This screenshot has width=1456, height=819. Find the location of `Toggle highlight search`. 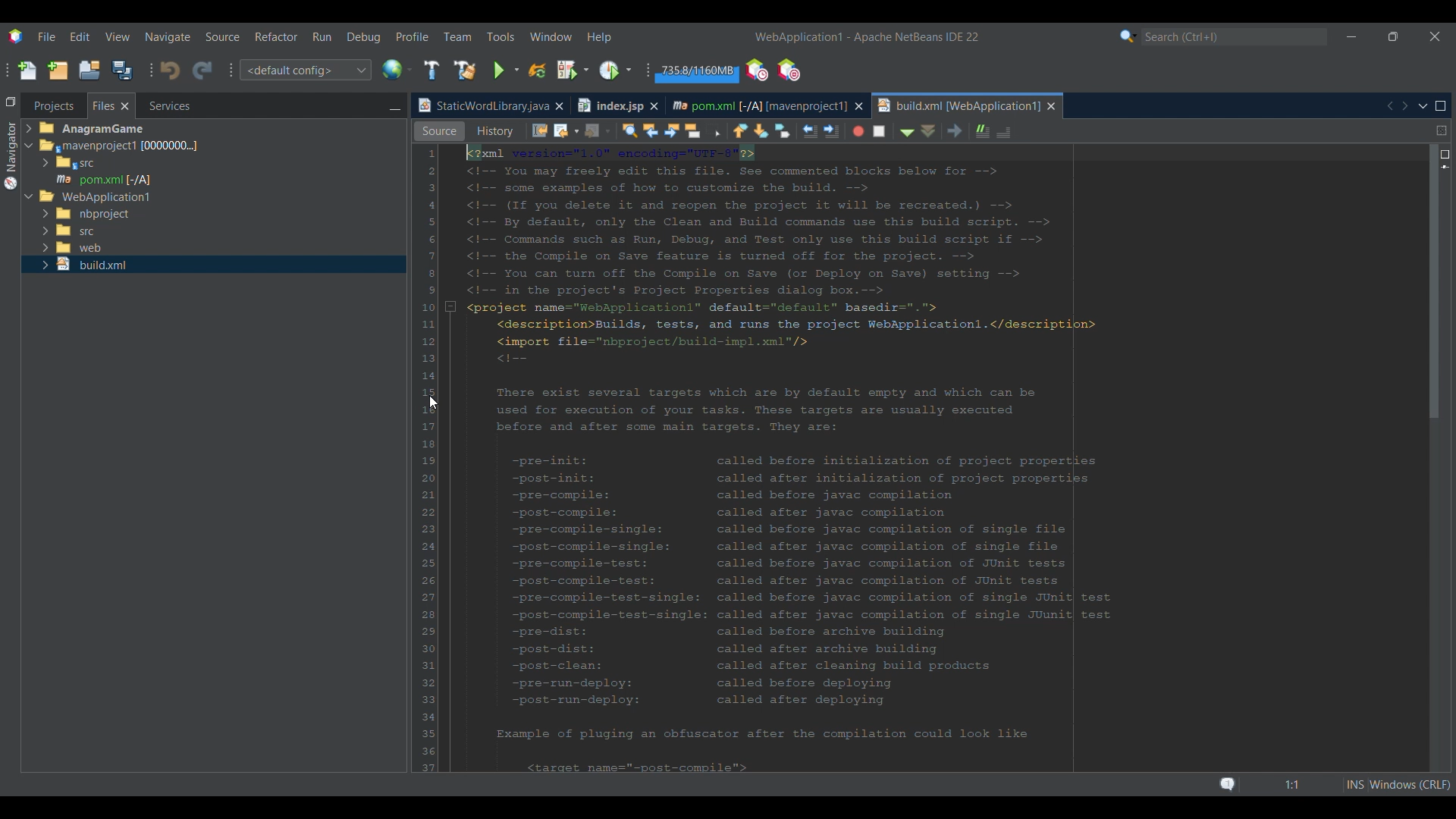

Toggle highlight search is located at coordinates (831, 130).